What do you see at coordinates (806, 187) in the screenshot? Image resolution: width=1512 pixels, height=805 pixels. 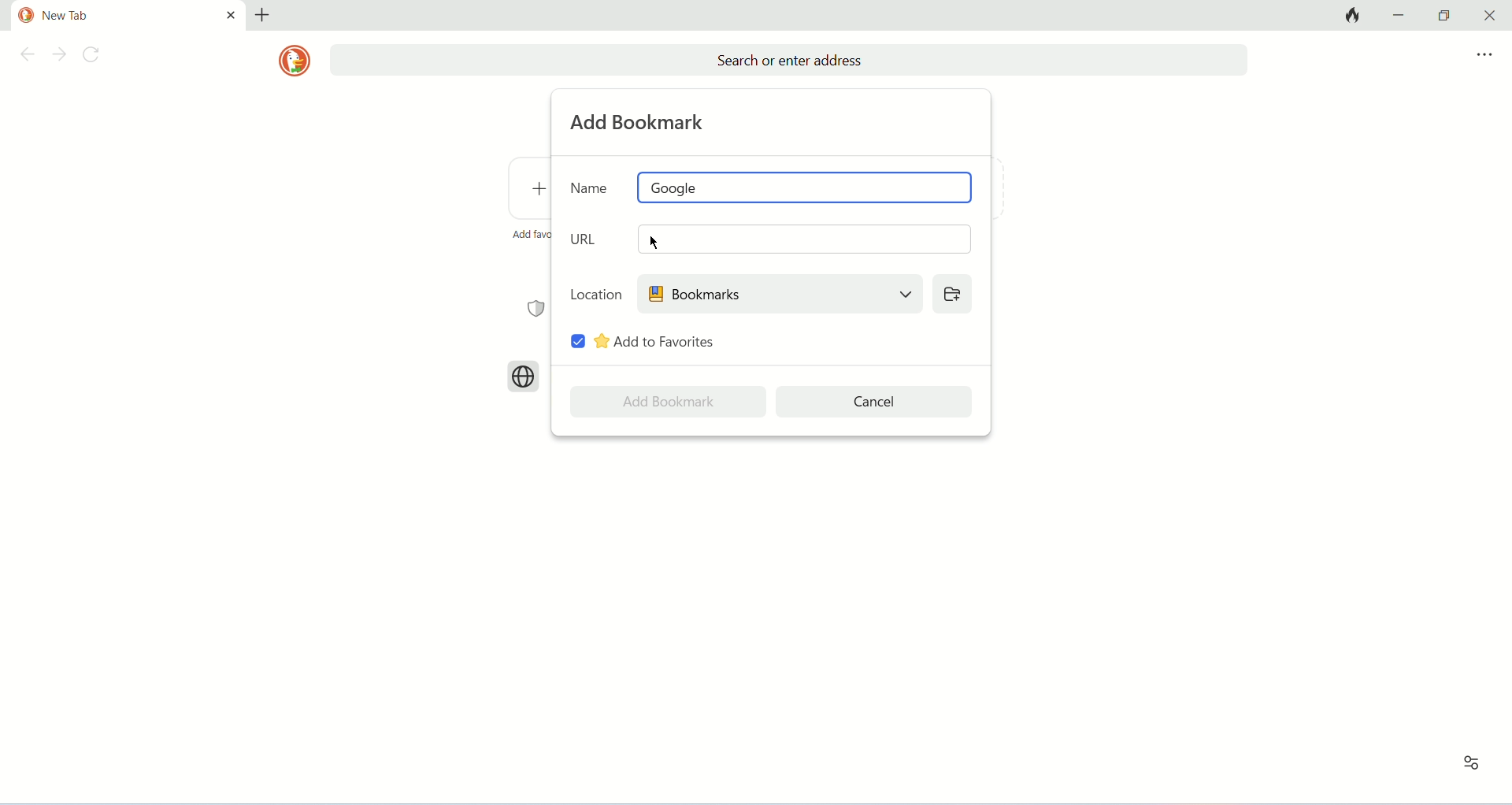 I see `google` at bounding box center [806, 187].